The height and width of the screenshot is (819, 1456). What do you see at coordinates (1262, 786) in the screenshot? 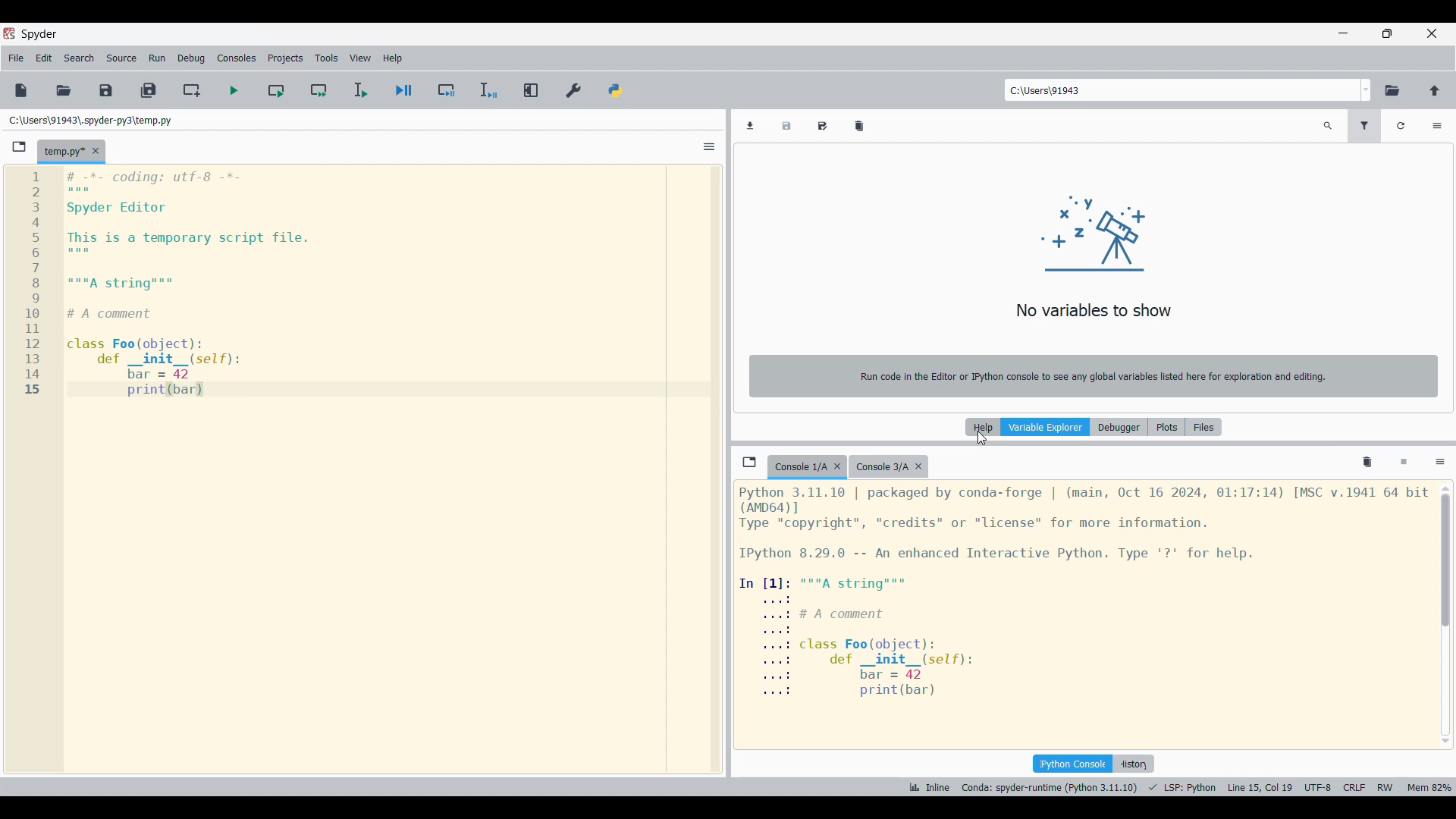
I see `line 15 col 9` at bounding box center [1262, 786].